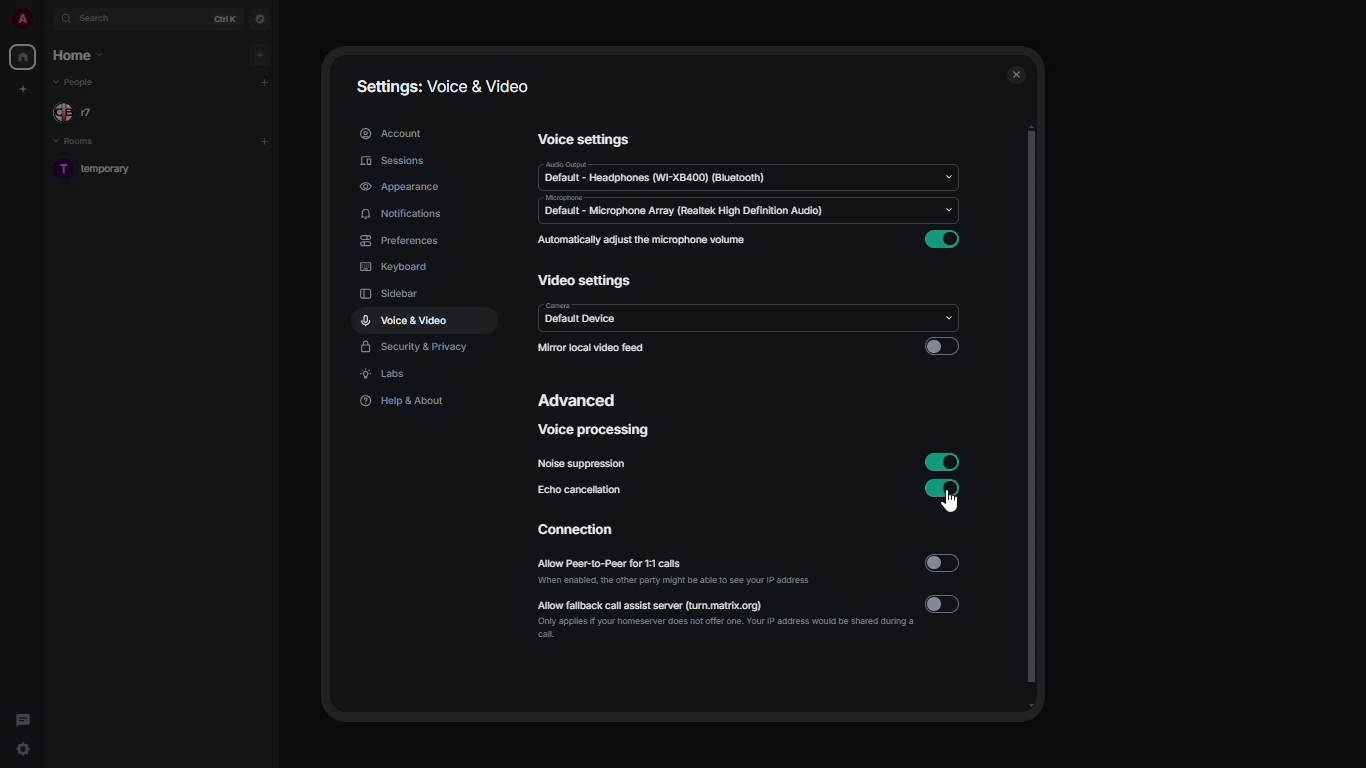  What do you see at coordinates (24, 718) in the screenshot?
I see `threads` at bounding box center [24, 718].